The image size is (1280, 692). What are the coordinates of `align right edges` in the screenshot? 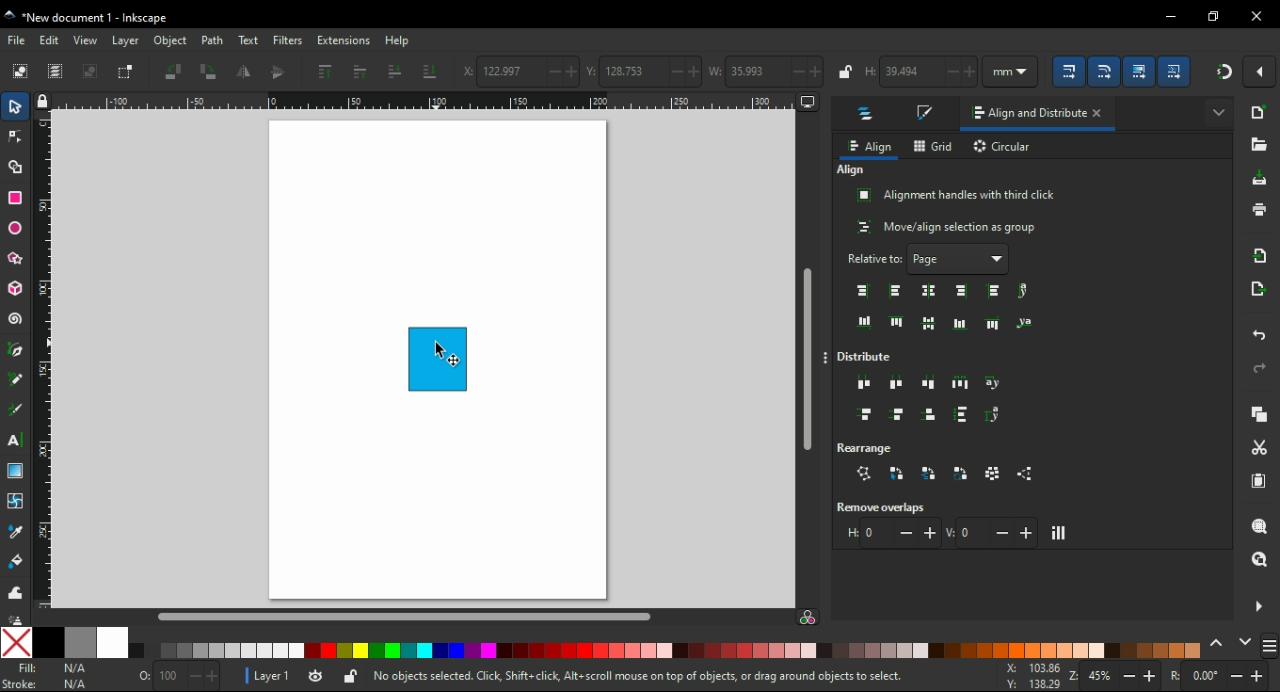 It's located at (961, 292).